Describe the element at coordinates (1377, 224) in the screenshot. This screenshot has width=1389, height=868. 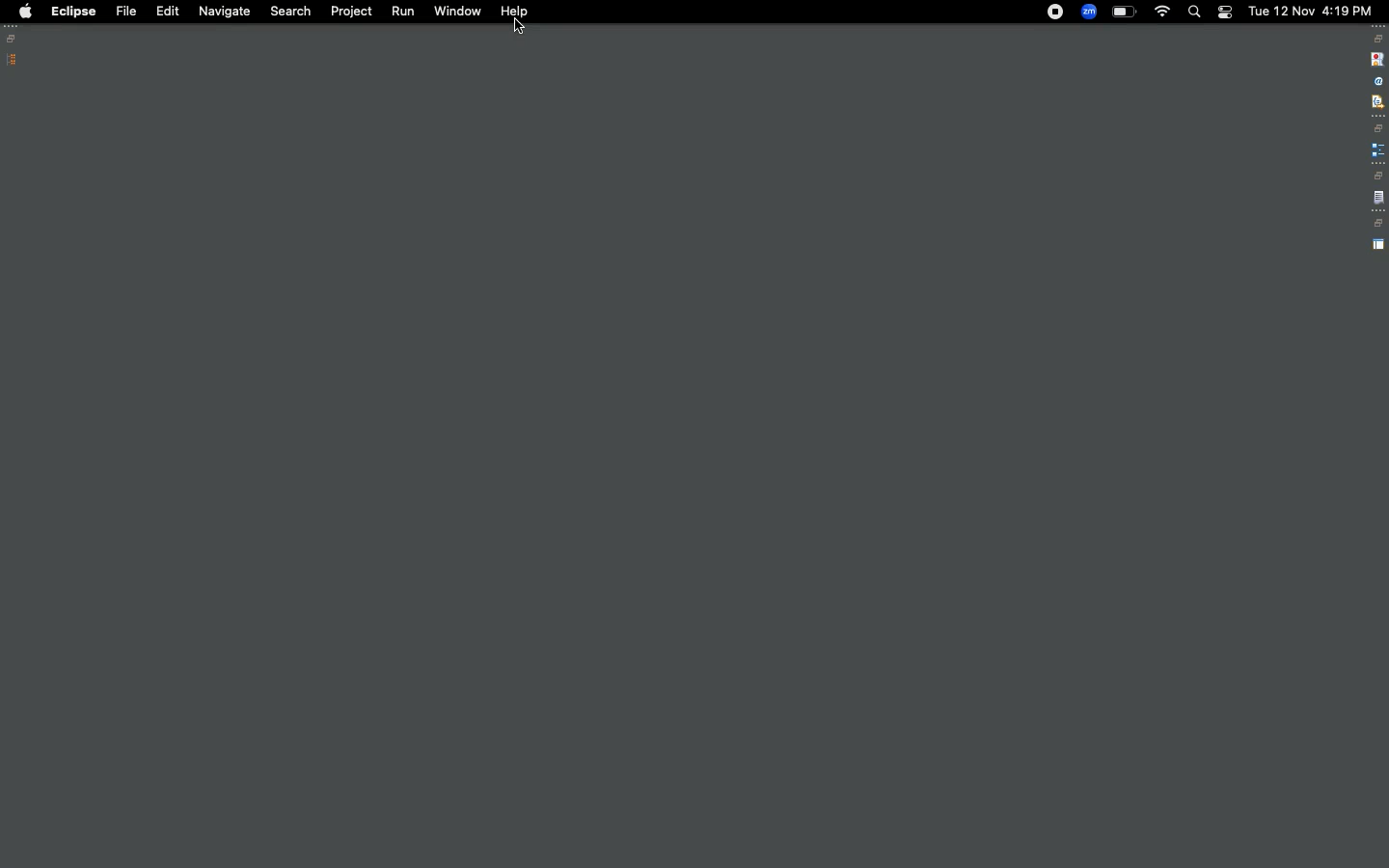
I see `restore` at that location.